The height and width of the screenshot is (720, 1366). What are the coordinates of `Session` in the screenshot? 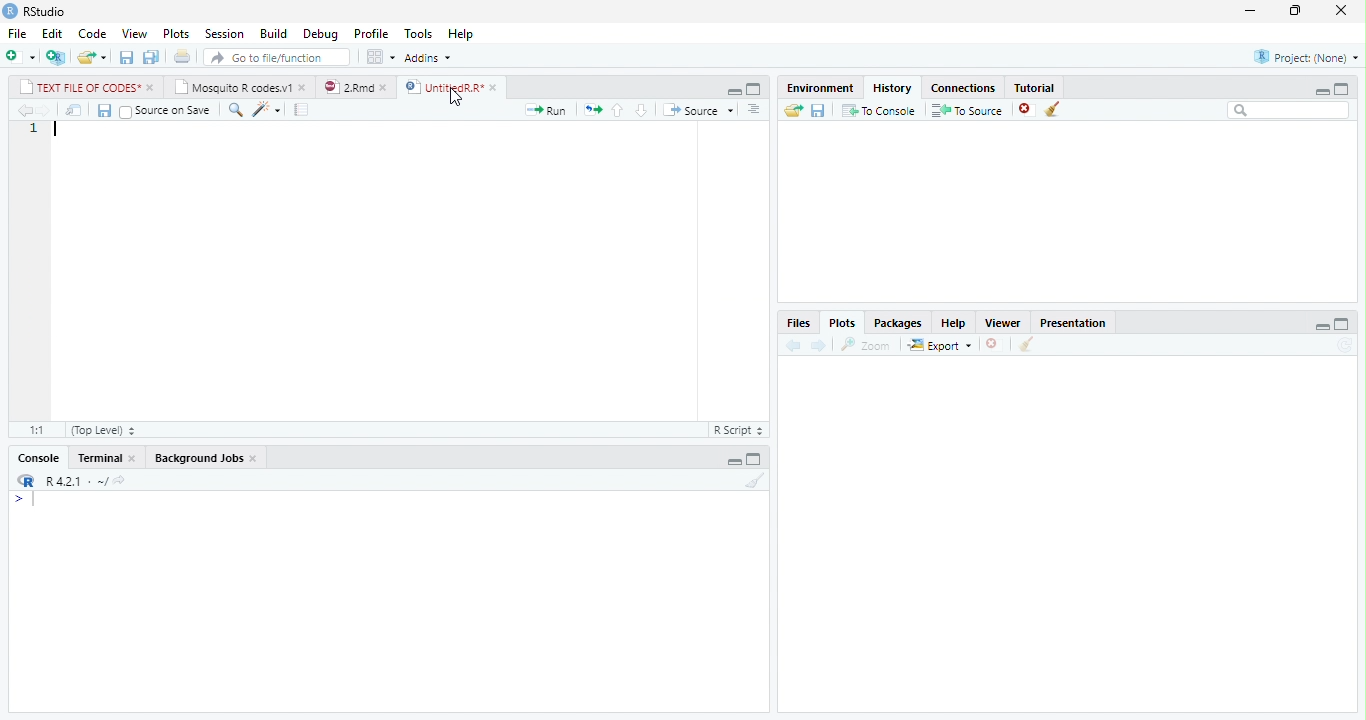 It's located at (222, 35).